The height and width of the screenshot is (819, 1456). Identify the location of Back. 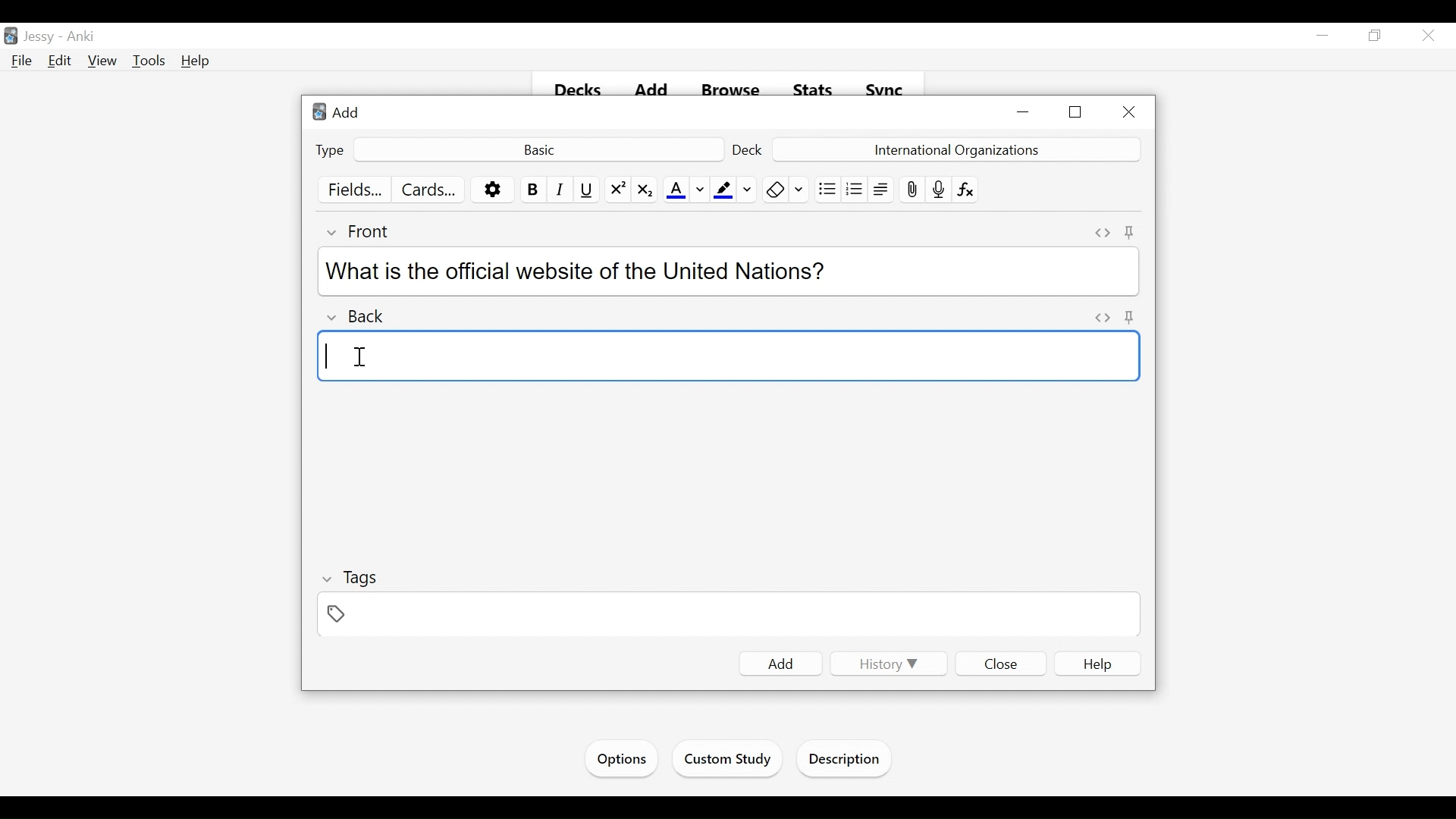
(356, 317).